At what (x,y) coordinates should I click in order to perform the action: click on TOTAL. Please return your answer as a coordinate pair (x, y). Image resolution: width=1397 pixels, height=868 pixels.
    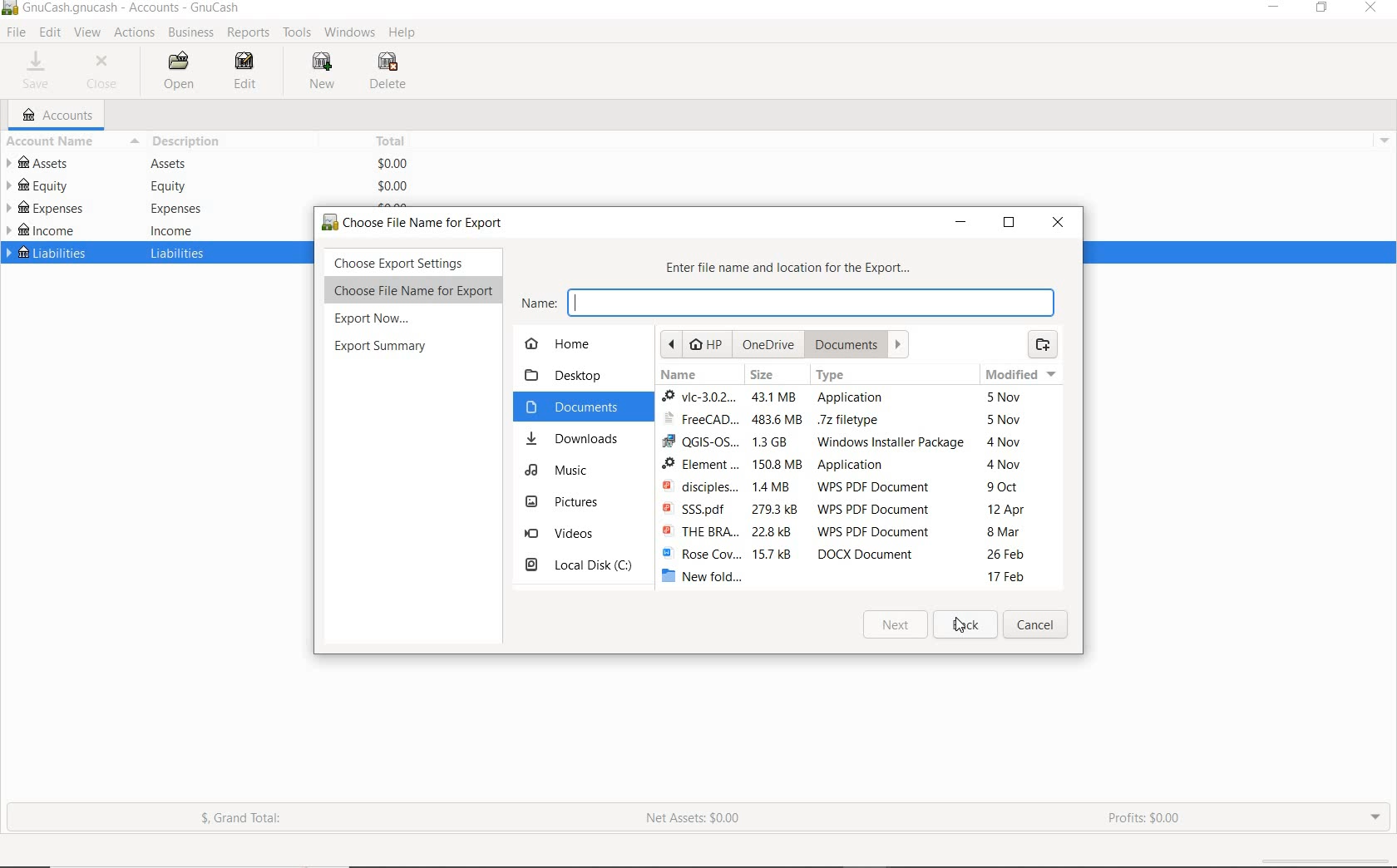
    Looking at the image, I should click on (393, 141).